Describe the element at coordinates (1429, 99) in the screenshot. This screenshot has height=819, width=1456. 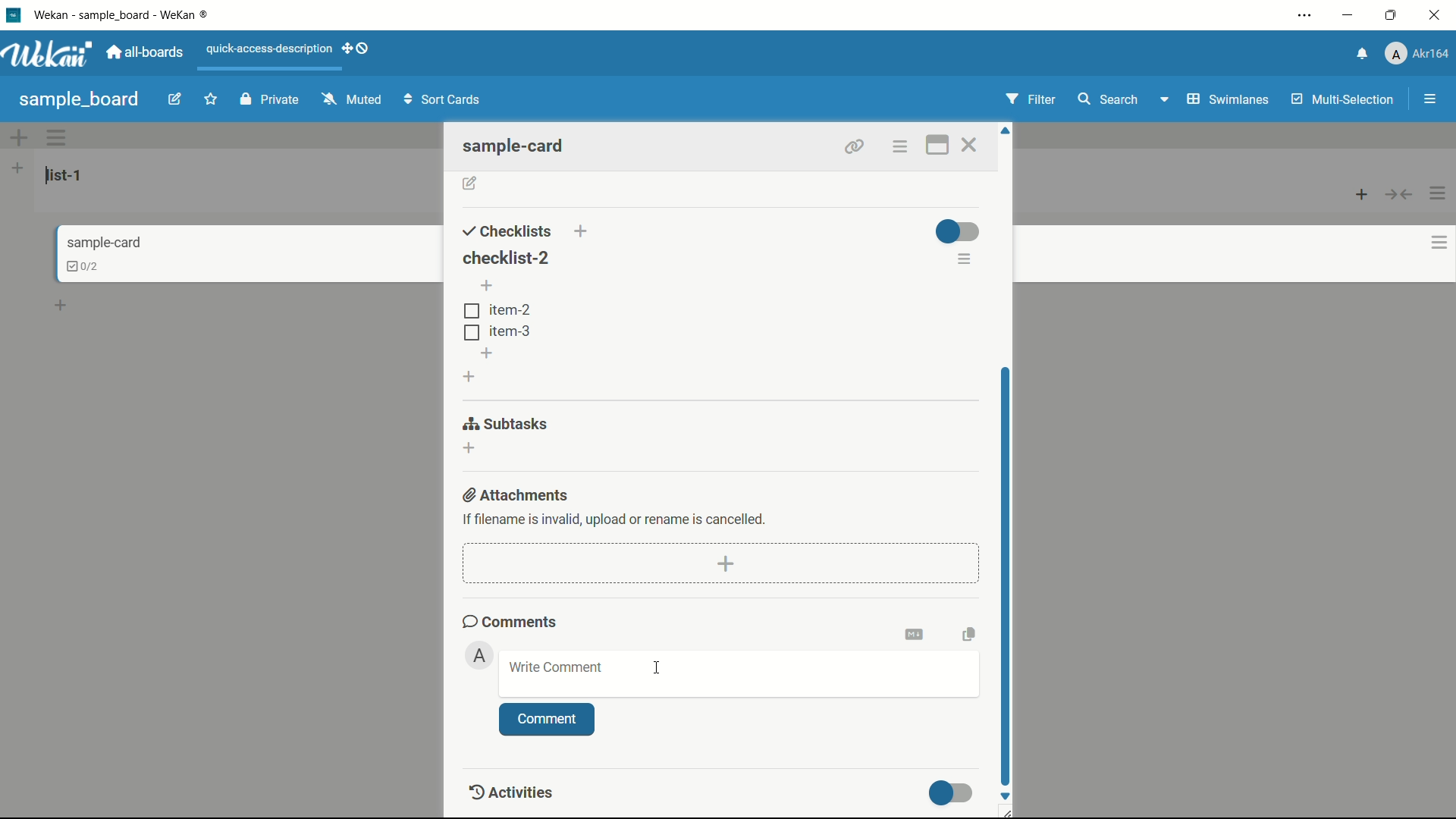
I see `show/hide sidebar` at that location.